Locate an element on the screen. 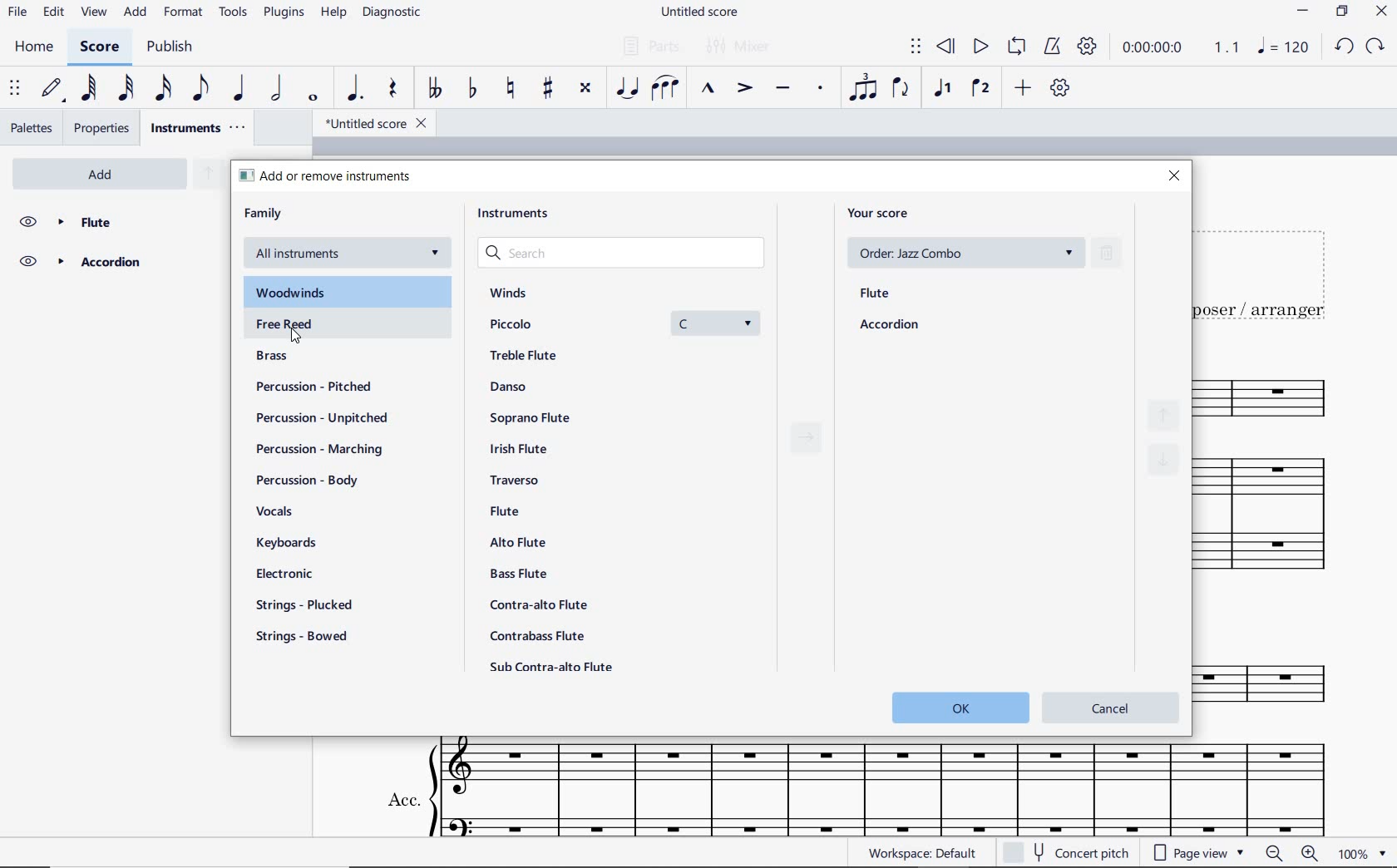 The height and width of the screenshot is (868, 1397). ADD is located at coordinates (136, 12).